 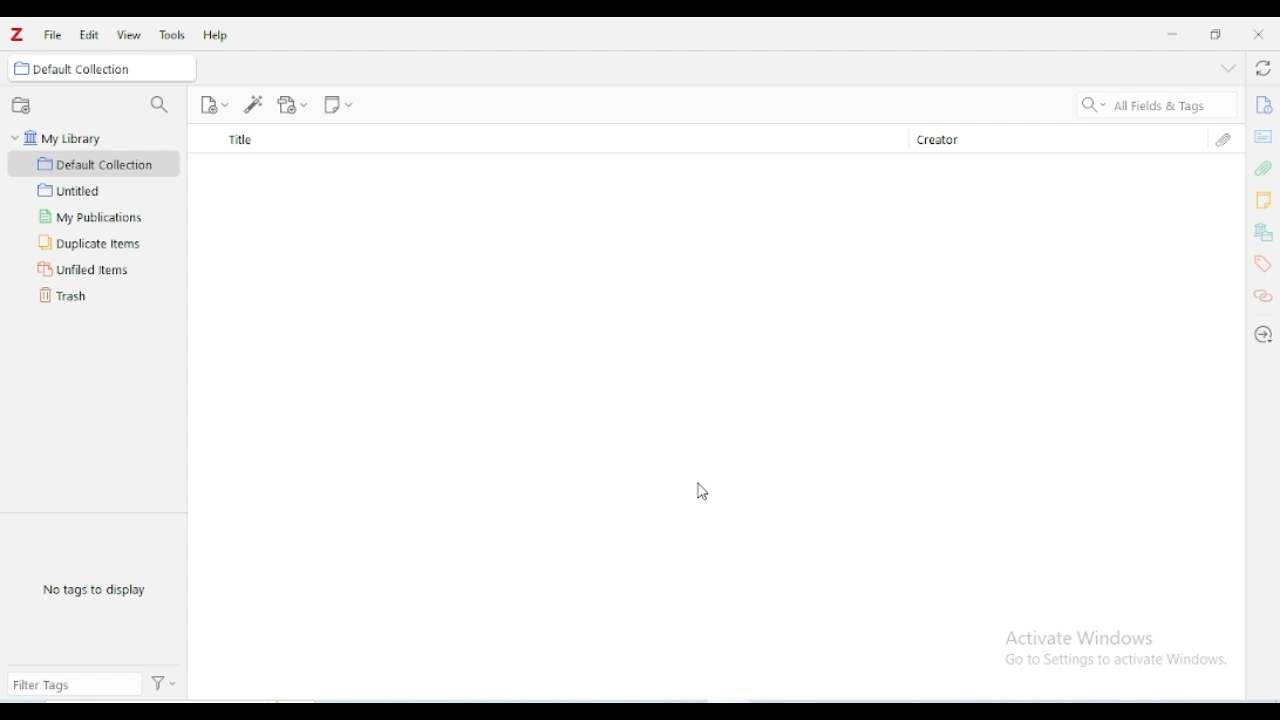 I want to click on collapse section, so click(x=1228, y=69).